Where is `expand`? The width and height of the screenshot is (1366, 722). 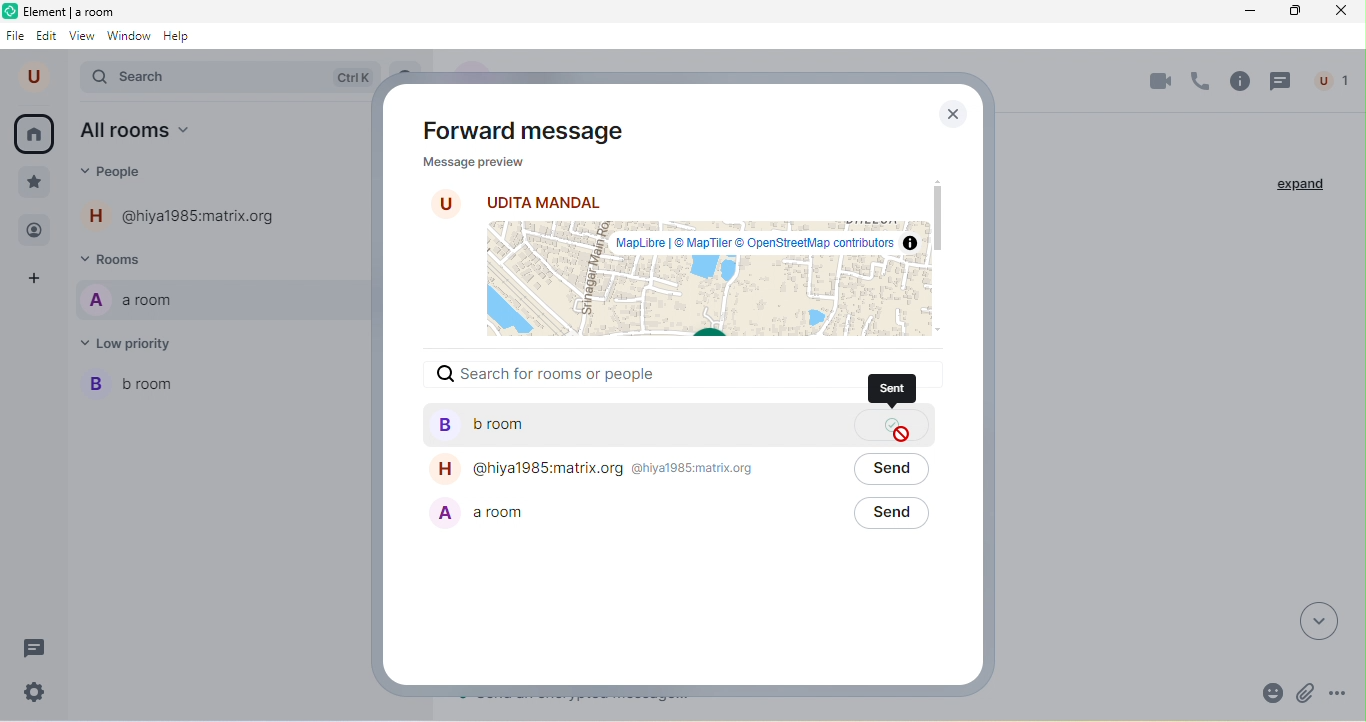
expand is located at coordinates (1299, 185).